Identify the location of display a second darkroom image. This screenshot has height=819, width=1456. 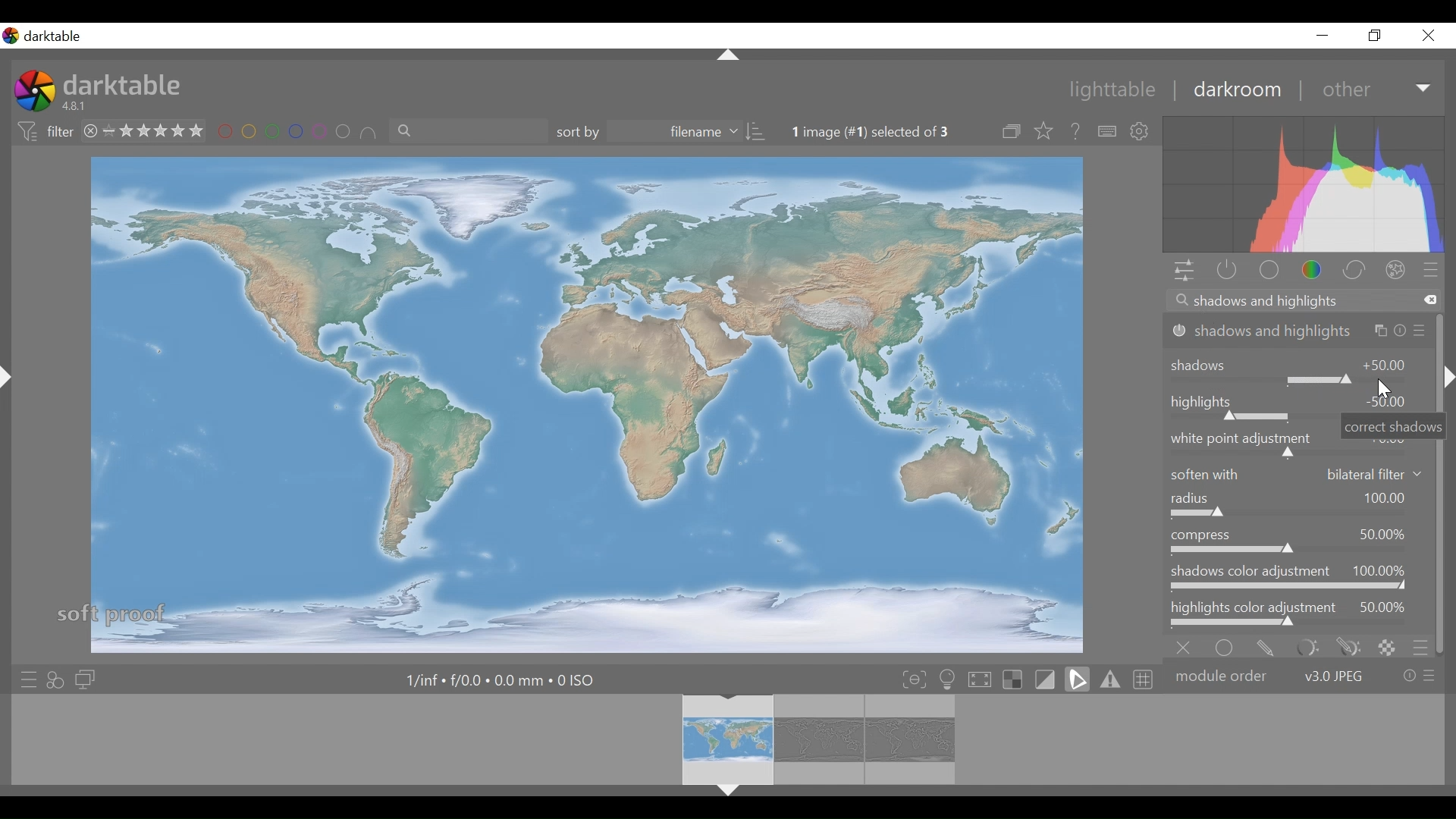
(84, 679).